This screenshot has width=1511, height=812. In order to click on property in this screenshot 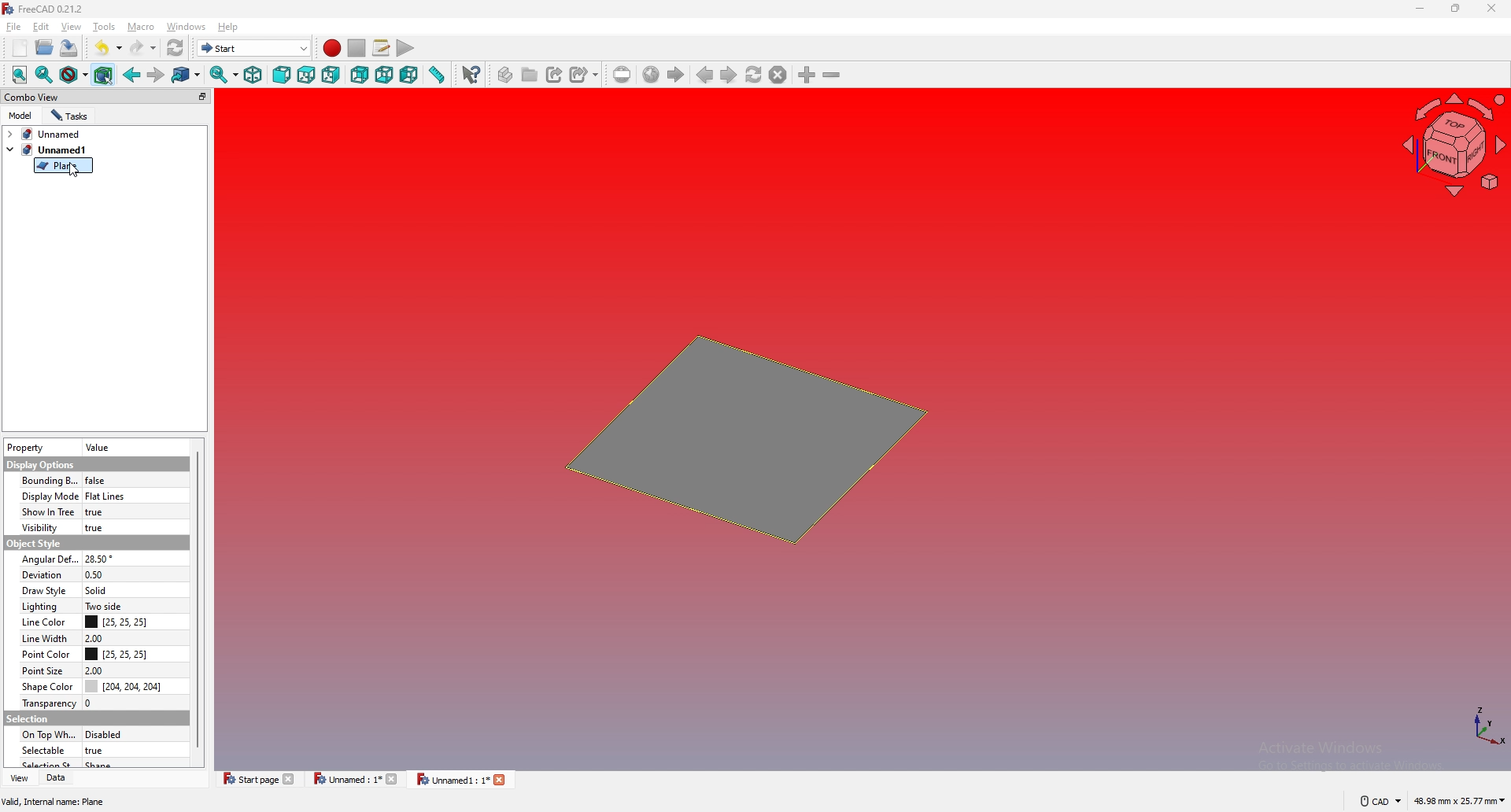, I will do `click(25, 448)`.